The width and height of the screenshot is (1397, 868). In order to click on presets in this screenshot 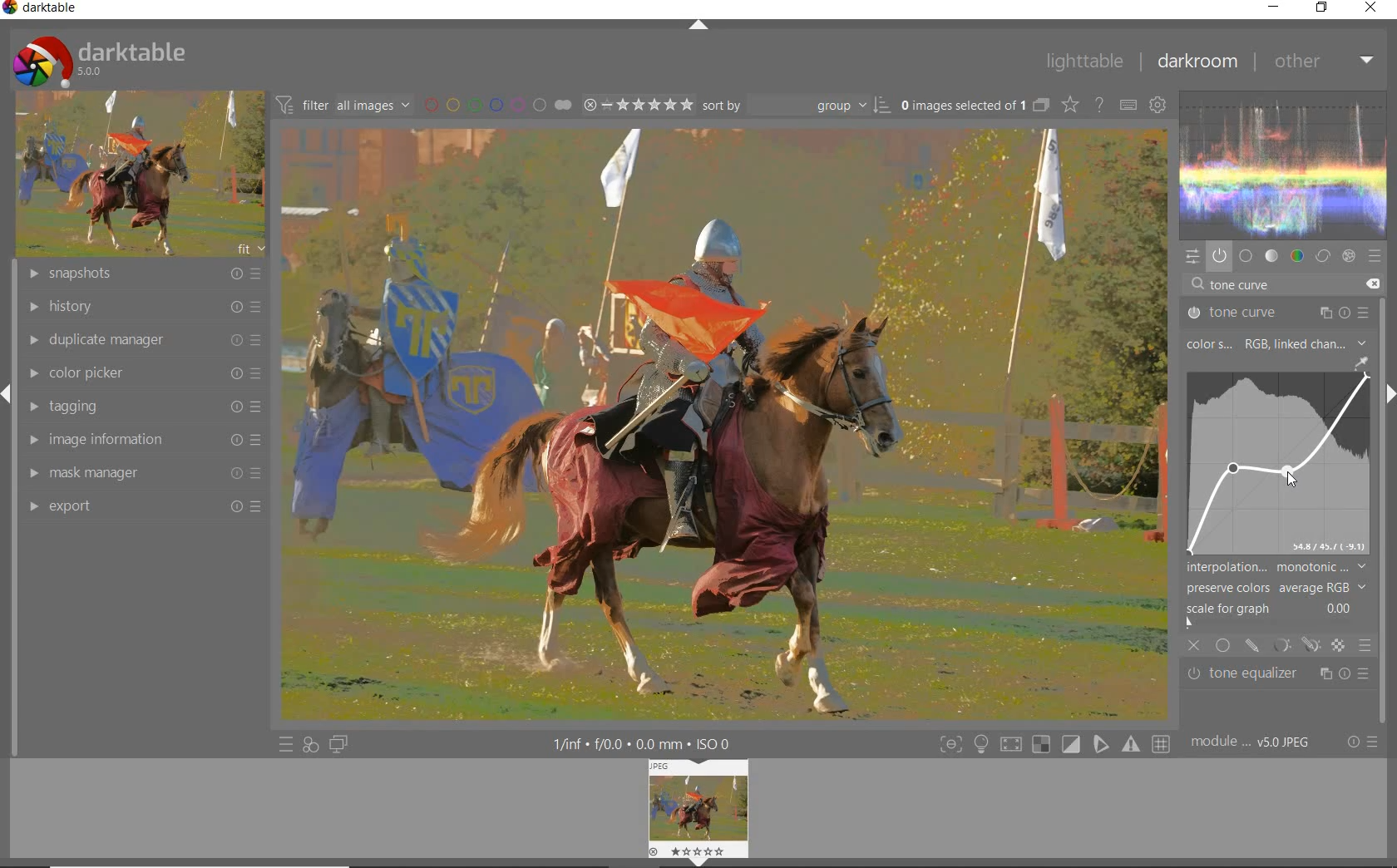, I will do `click(1375, 257)`.